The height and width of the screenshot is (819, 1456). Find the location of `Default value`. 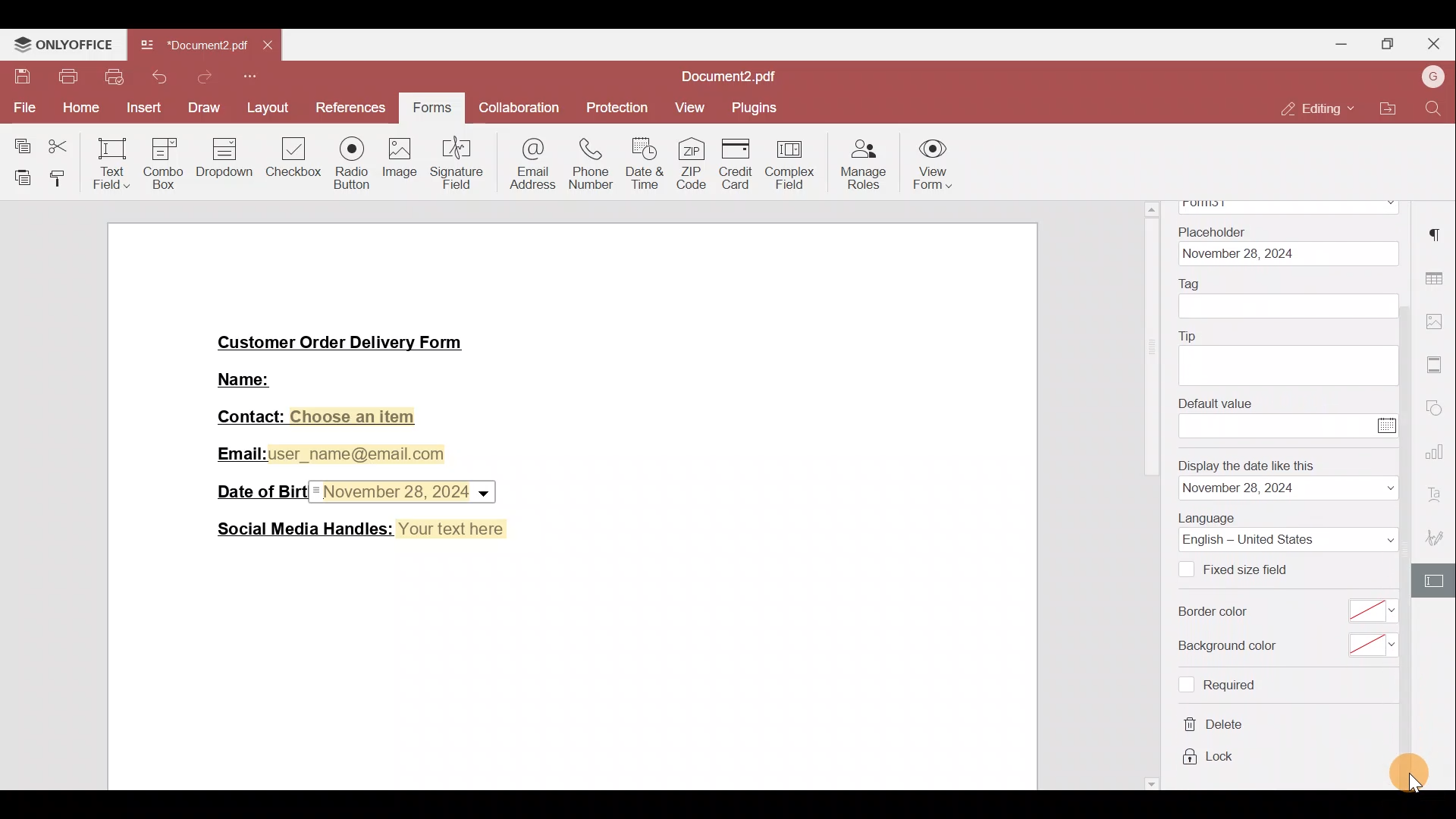

Default value is located at coordinates (1217, 403).